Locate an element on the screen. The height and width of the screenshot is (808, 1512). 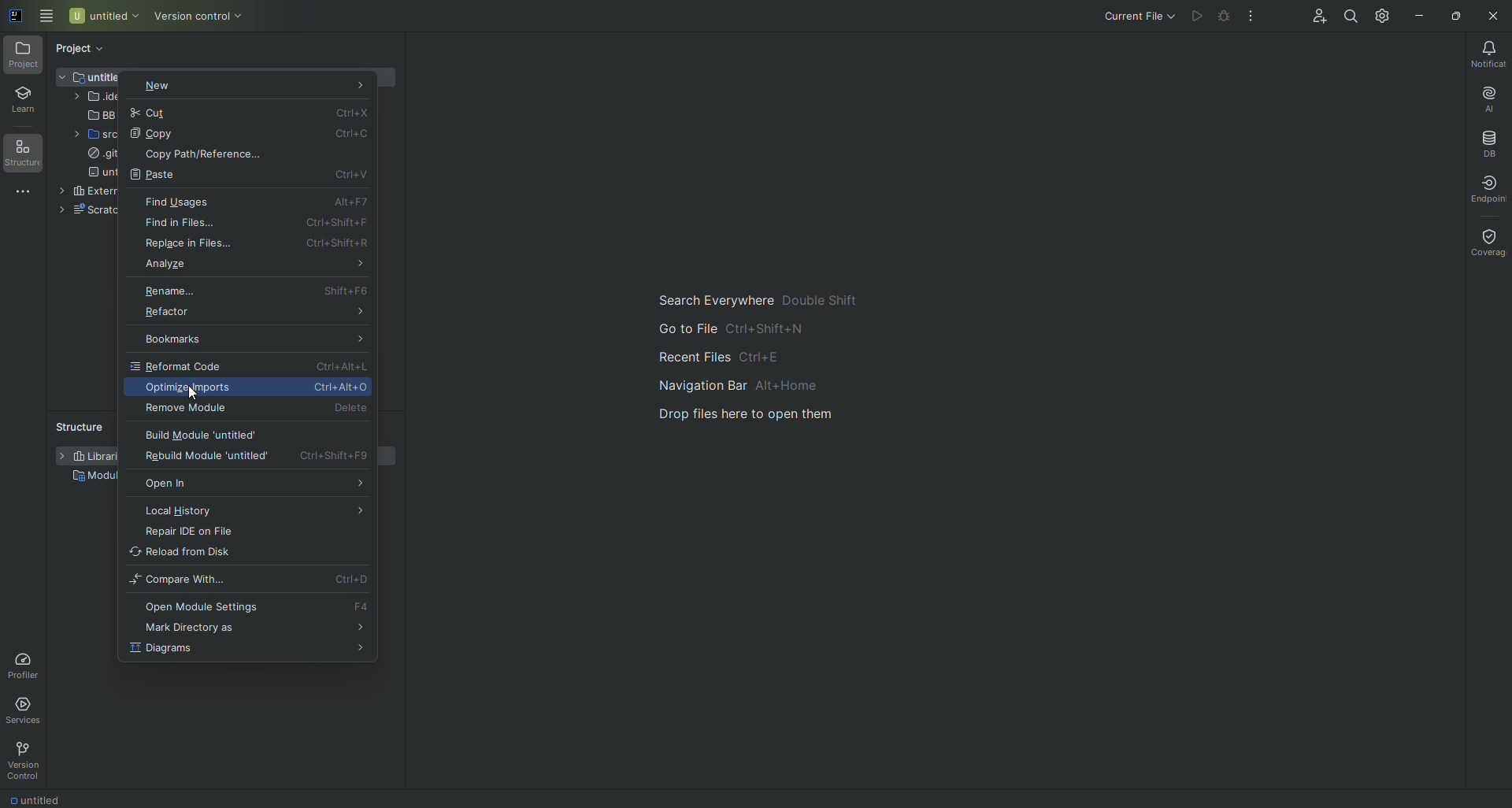
BB is located at coordinates (93, 116).